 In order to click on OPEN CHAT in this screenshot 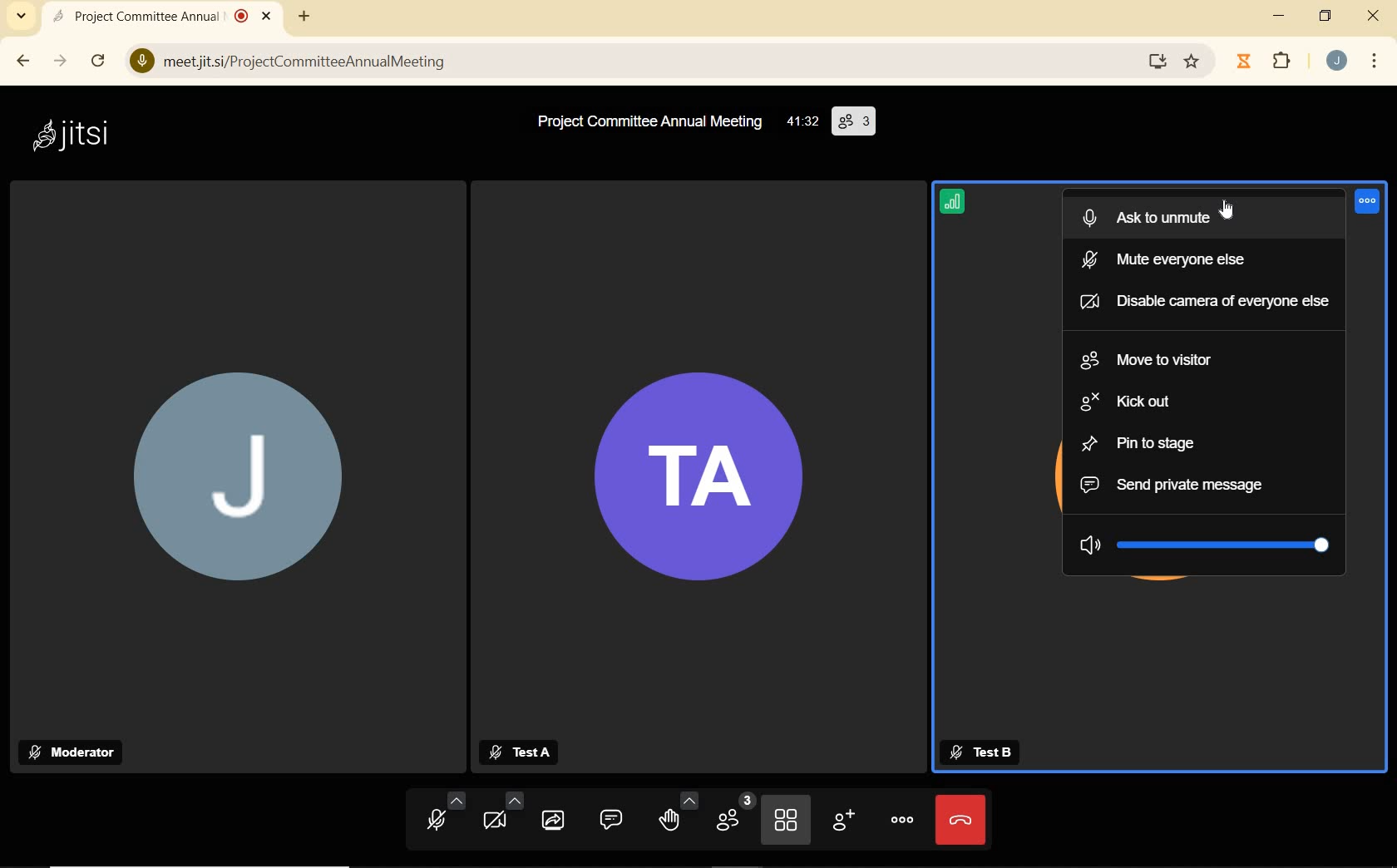, I will do `click(607, 819)`.